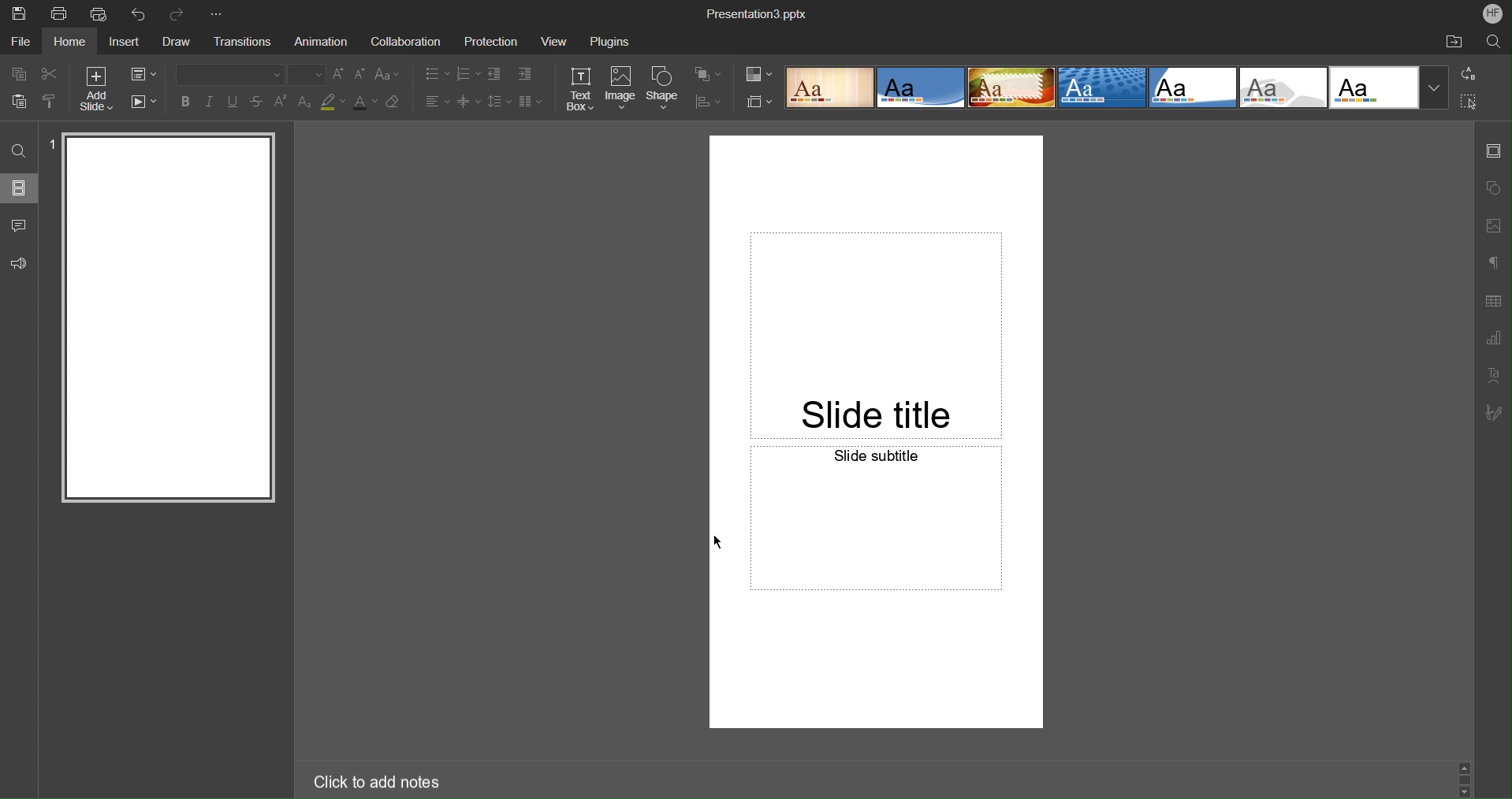 The height and width of the screenshot is (799, 1512). I want to click on Undo, so click(140, 13).